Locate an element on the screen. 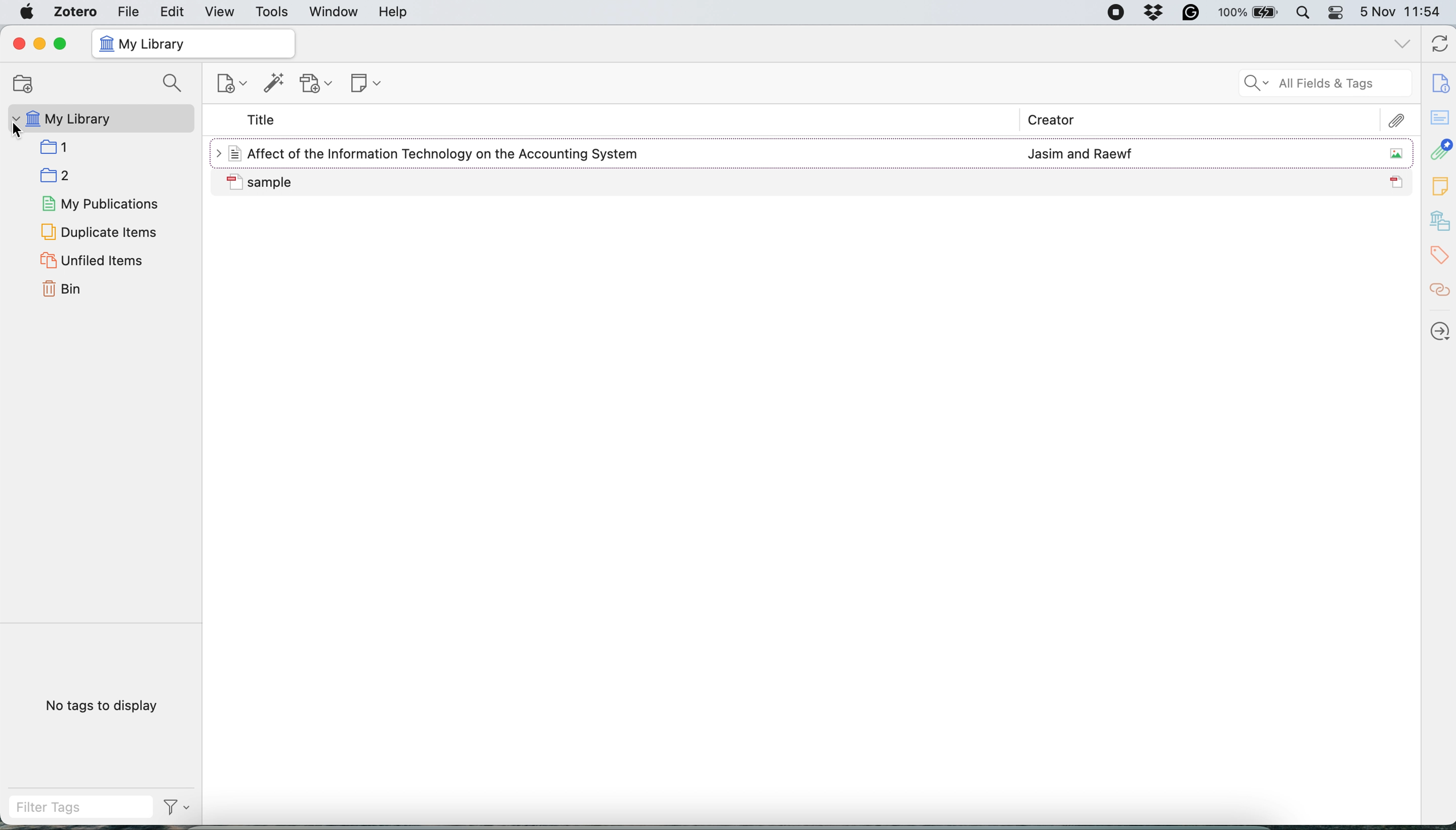 This screenshot has height=830, width=1456. system logo is located at coordinates (29, 13).